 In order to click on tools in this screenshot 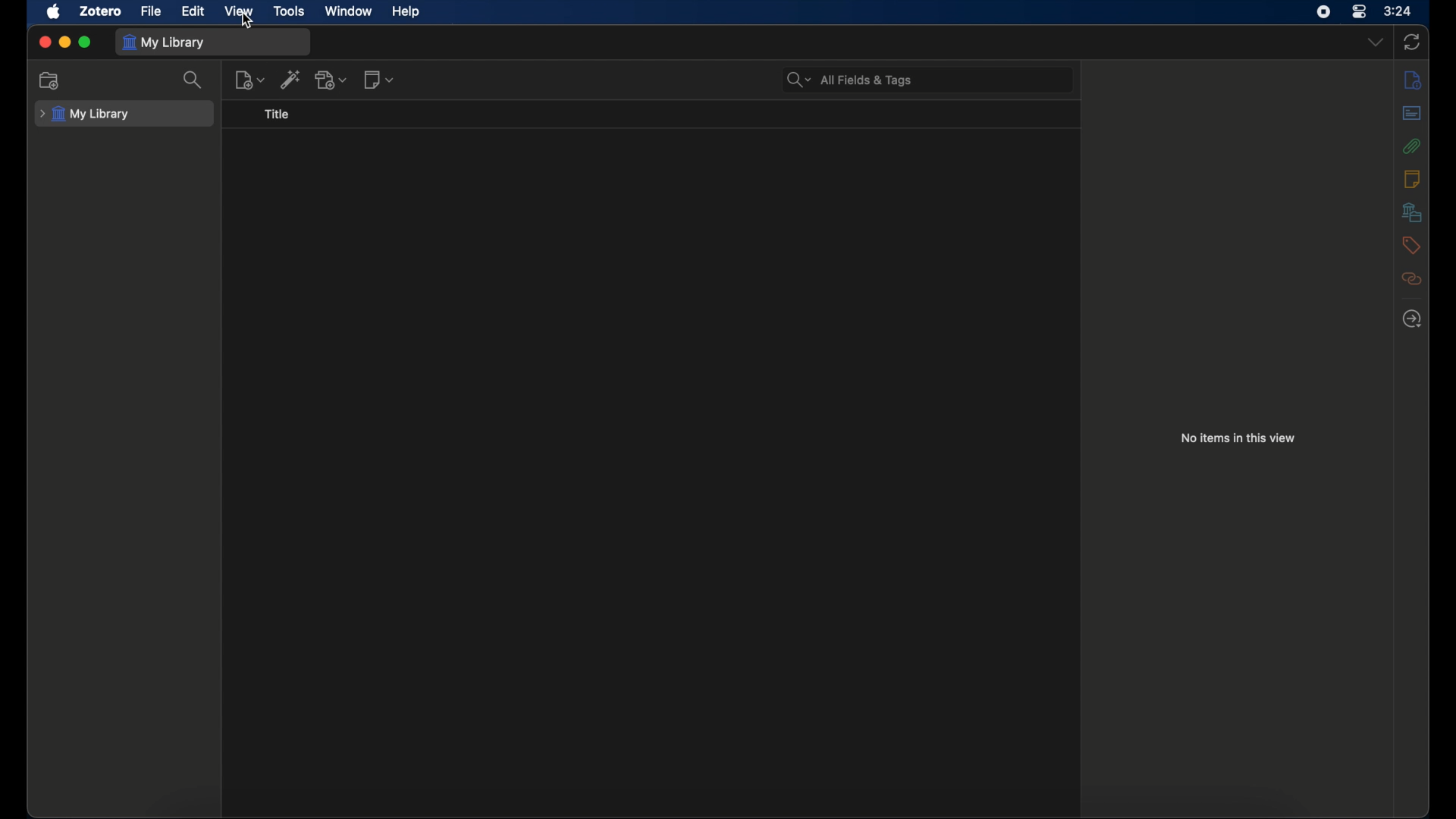, I will do `click(290, 11)`.